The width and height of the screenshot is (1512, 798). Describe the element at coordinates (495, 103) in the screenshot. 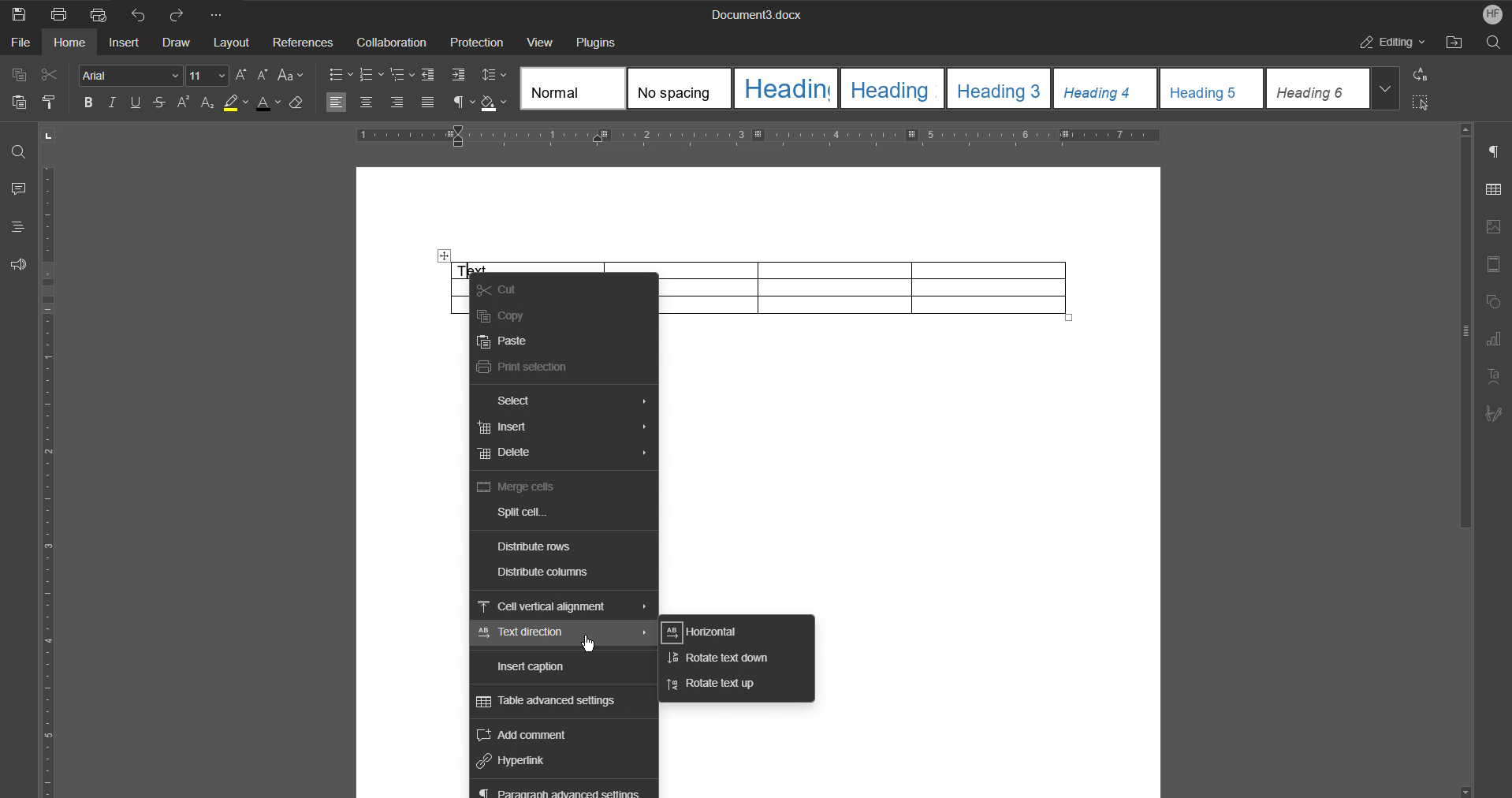

I see `Shadow` at that location.